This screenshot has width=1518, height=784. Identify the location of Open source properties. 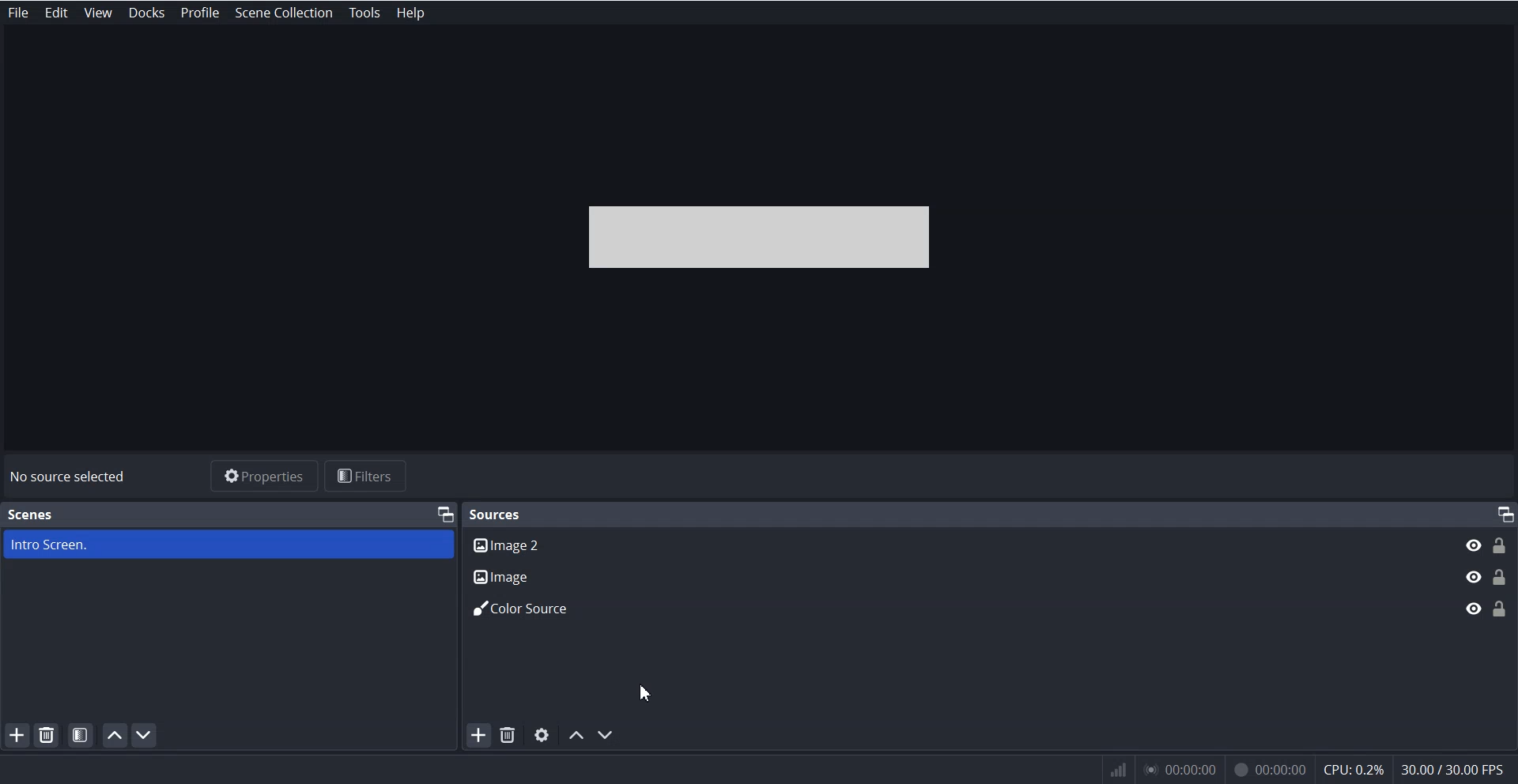
(542, 735).